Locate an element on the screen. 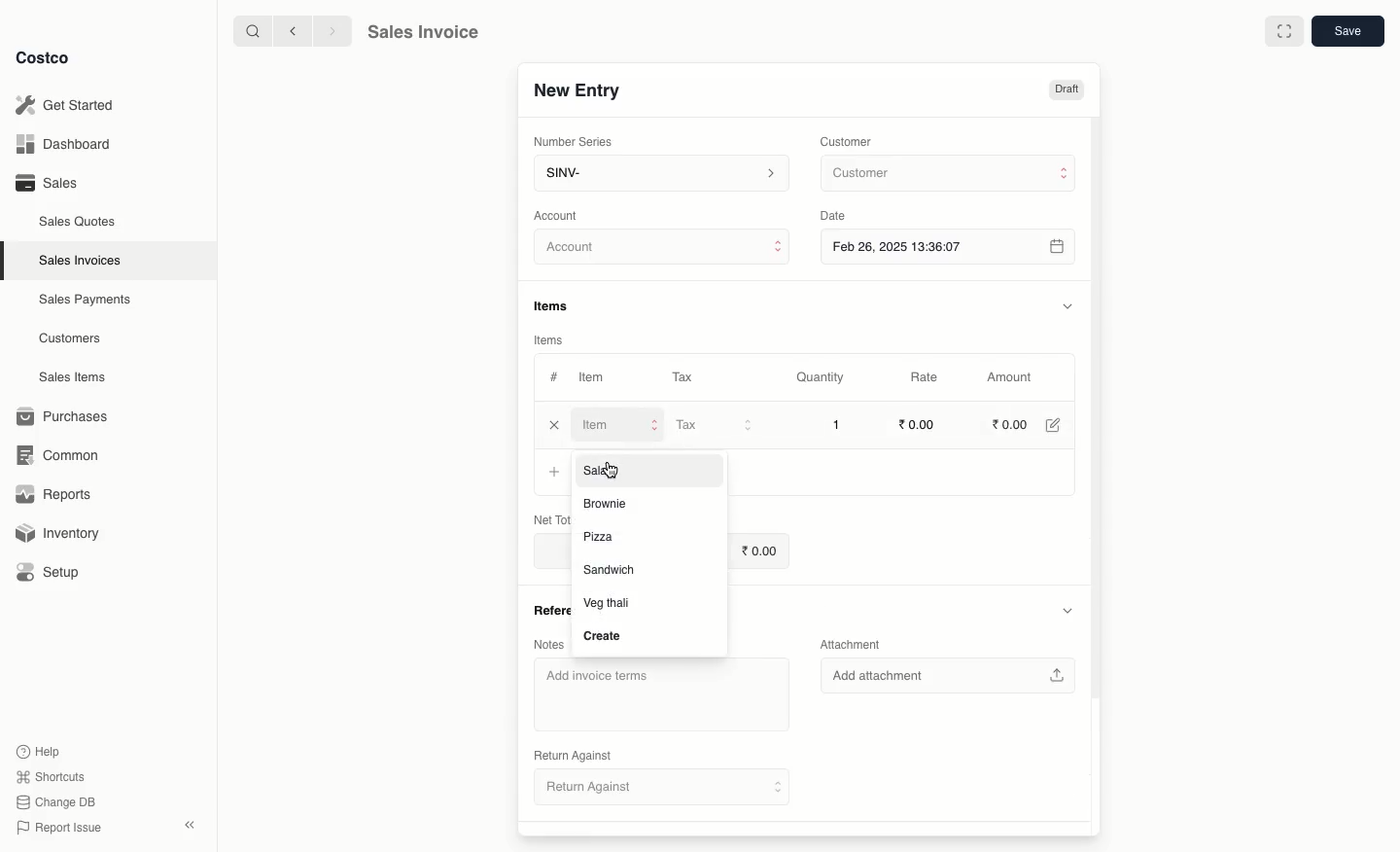  Draft is located at coordinates (1067, 90).